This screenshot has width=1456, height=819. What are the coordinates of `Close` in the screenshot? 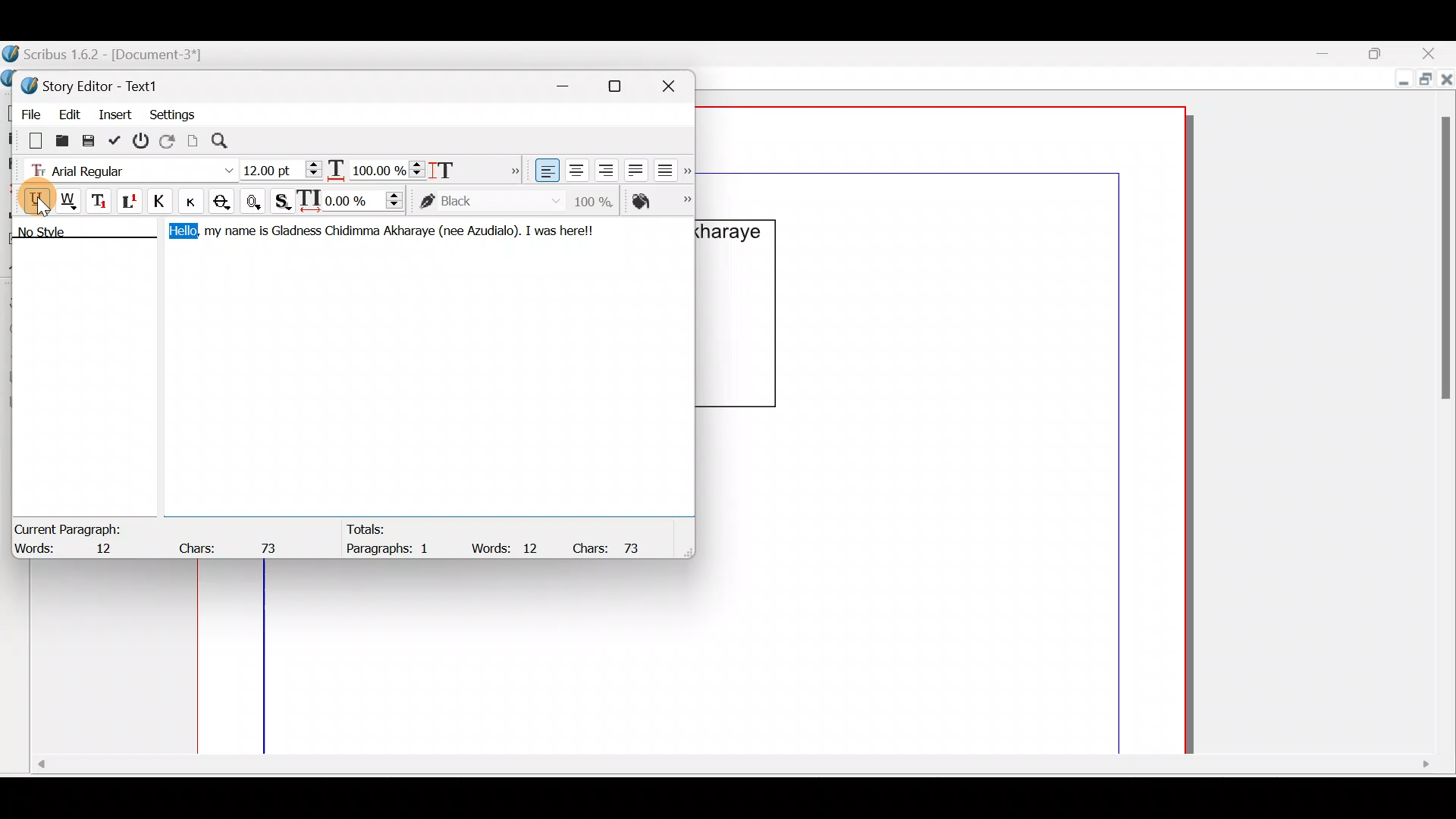 It's located at (1447, 83).